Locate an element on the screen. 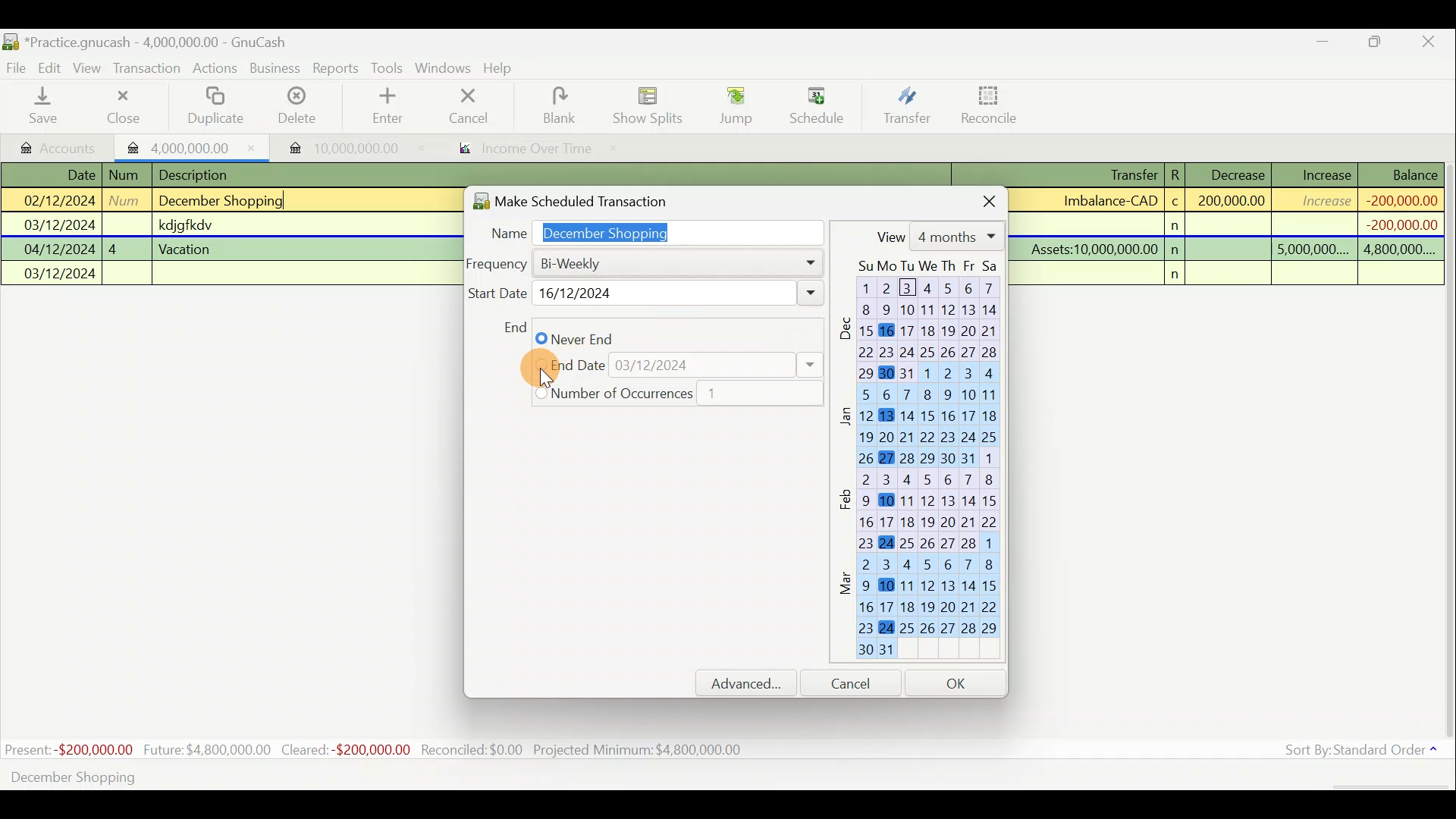  Document name is located at coordinates (163, 43).